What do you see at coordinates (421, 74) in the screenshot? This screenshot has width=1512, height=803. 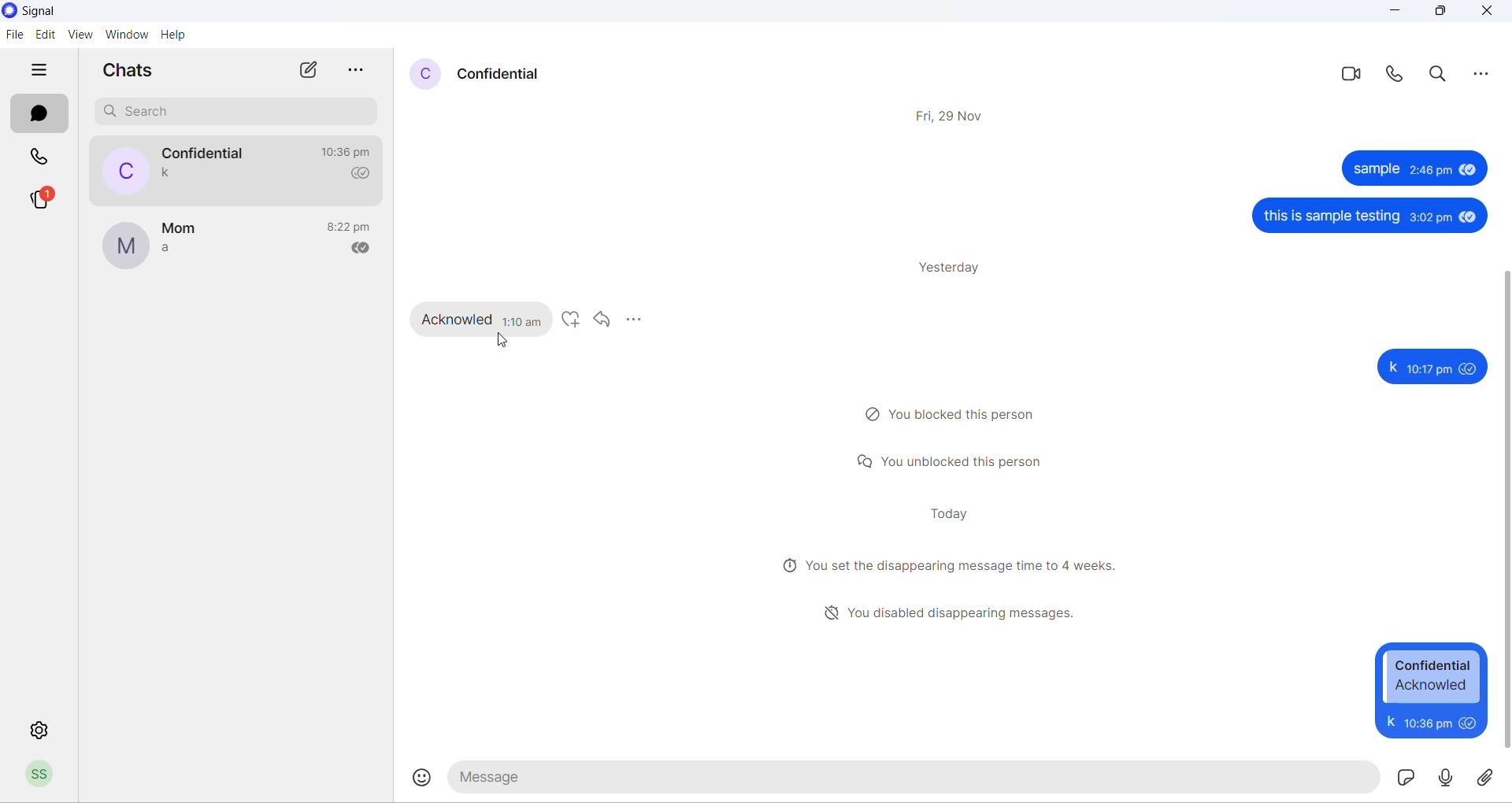 I see `profile picture` at bounding box center [421, 74].